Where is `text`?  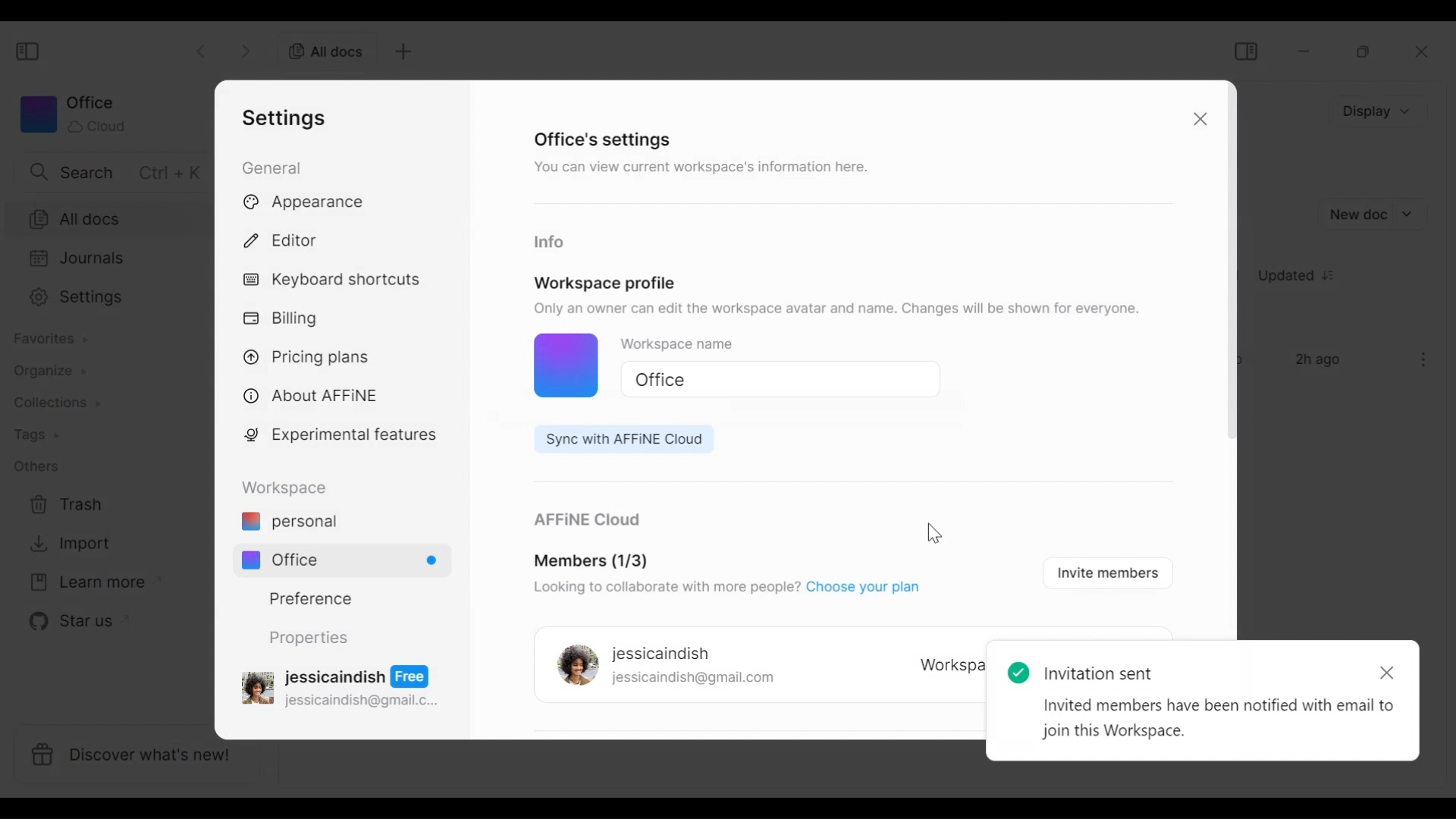
text is located at coordinates (1207, 698).